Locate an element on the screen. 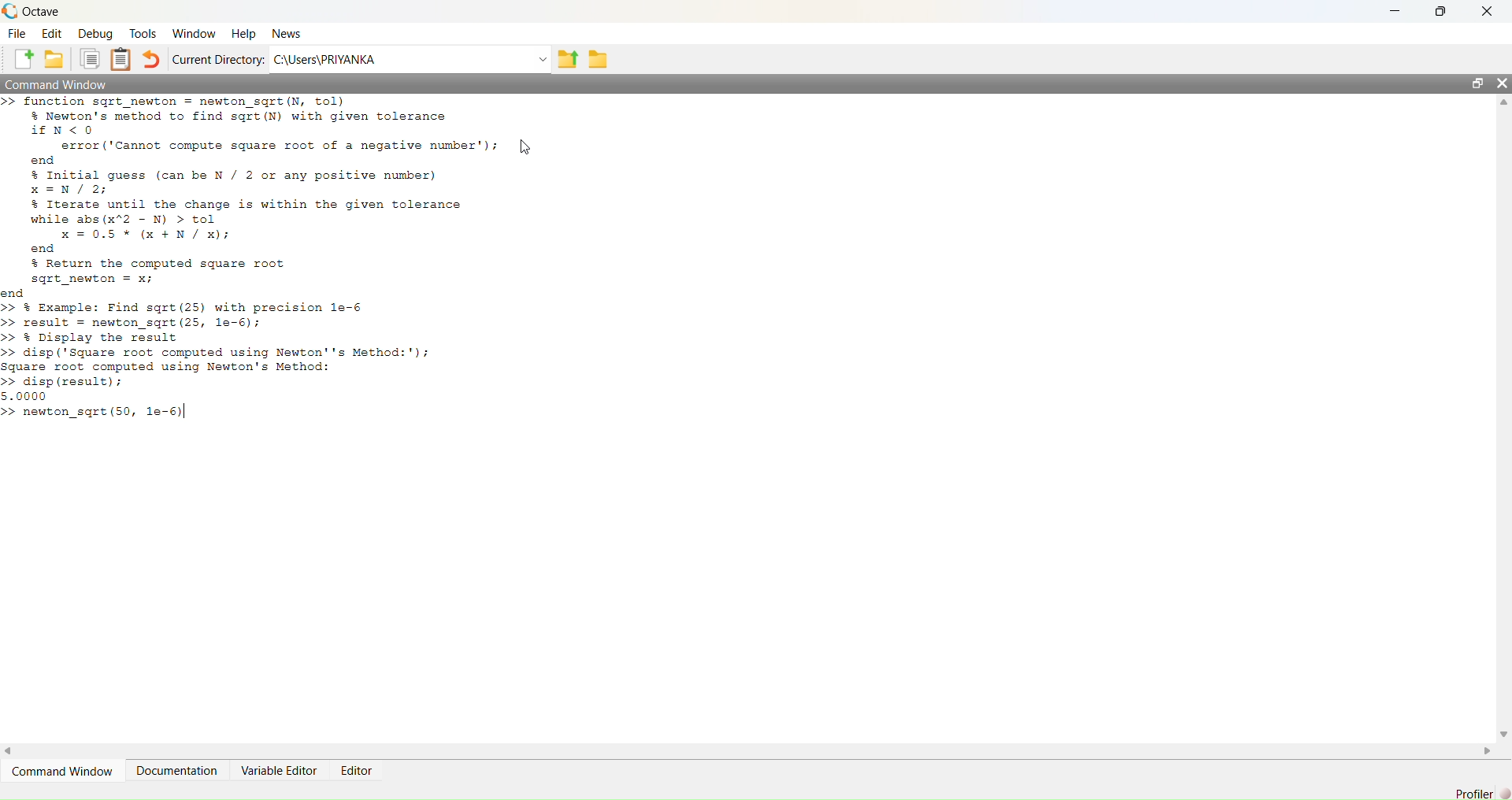 The image size is (1512, 800). Maximize/Restore is located at coordinates (1478, 84).